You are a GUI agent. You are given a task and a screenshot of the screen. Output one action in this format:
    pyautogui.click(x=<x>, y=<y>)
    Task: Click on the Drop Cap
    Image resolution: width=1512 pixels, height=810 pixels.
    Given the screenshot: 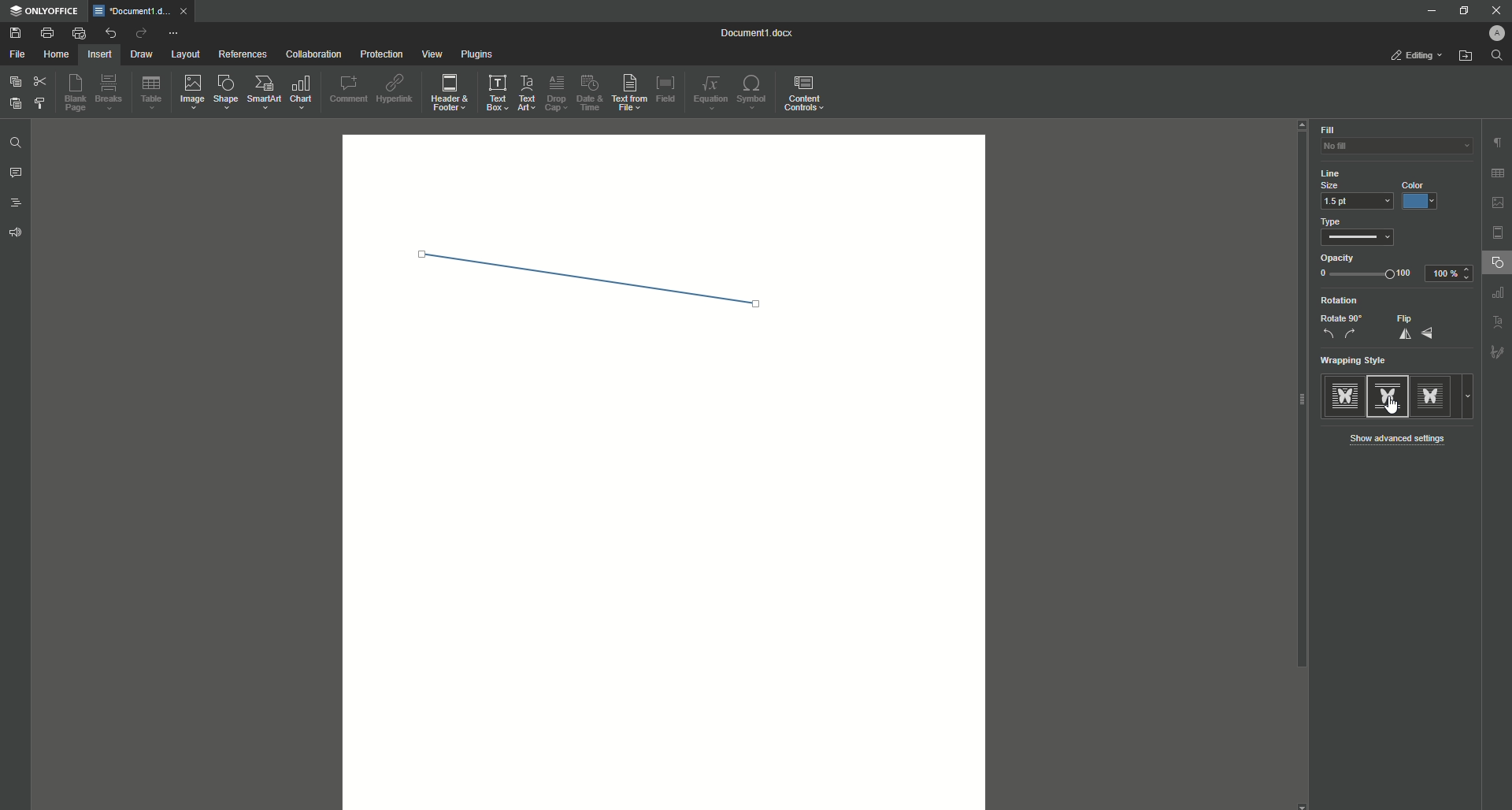 What is the action you would take?
    pyautogui.click(x=556, y=92)
    